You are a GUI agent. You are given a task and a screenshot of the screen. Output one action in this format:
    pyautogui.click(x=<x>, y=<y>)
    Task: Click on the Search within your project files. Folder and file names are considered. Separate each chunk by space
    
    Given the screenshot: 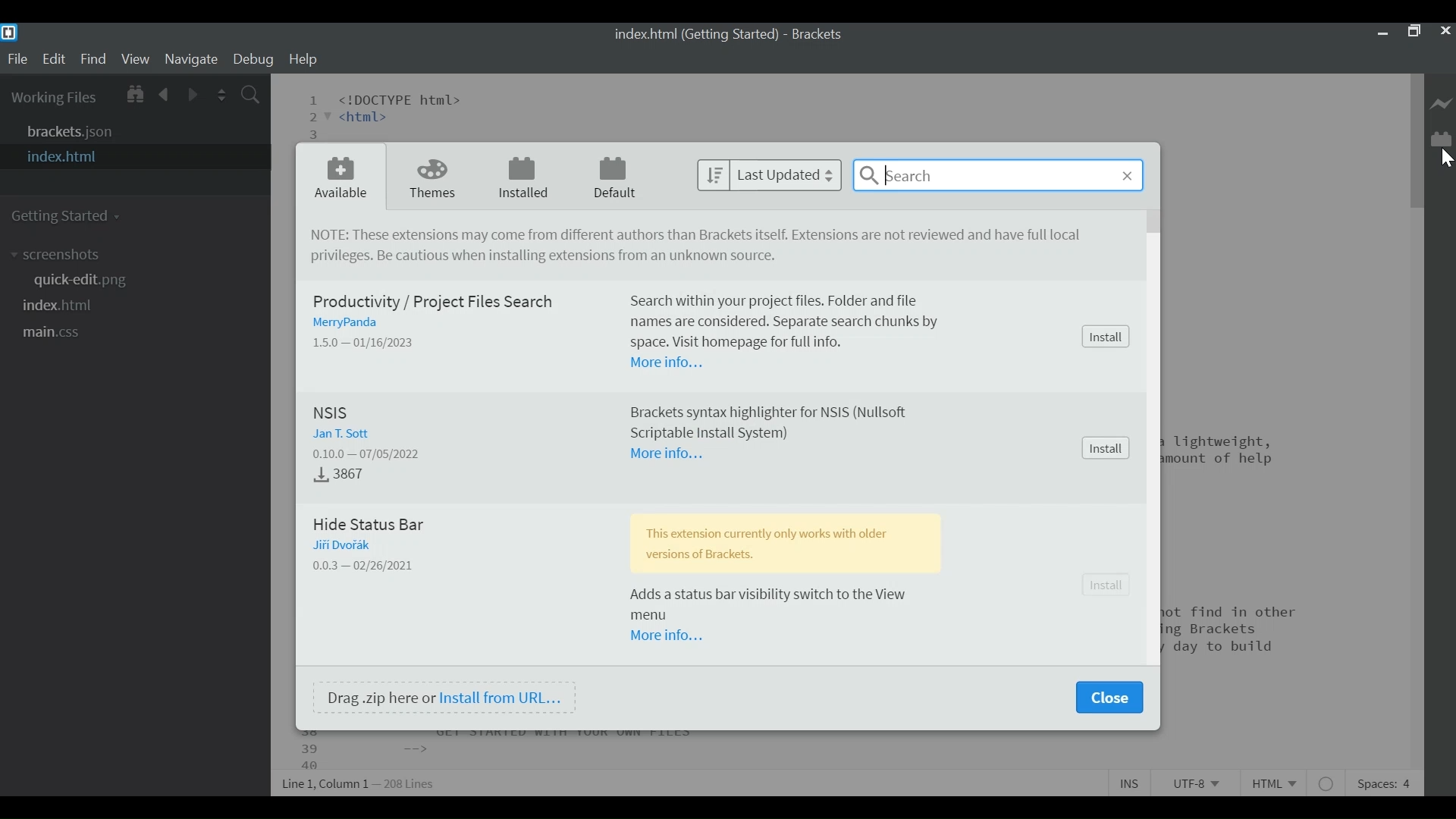 What is the action you would take?
    pyautogui.click(x=789, y=320)
    